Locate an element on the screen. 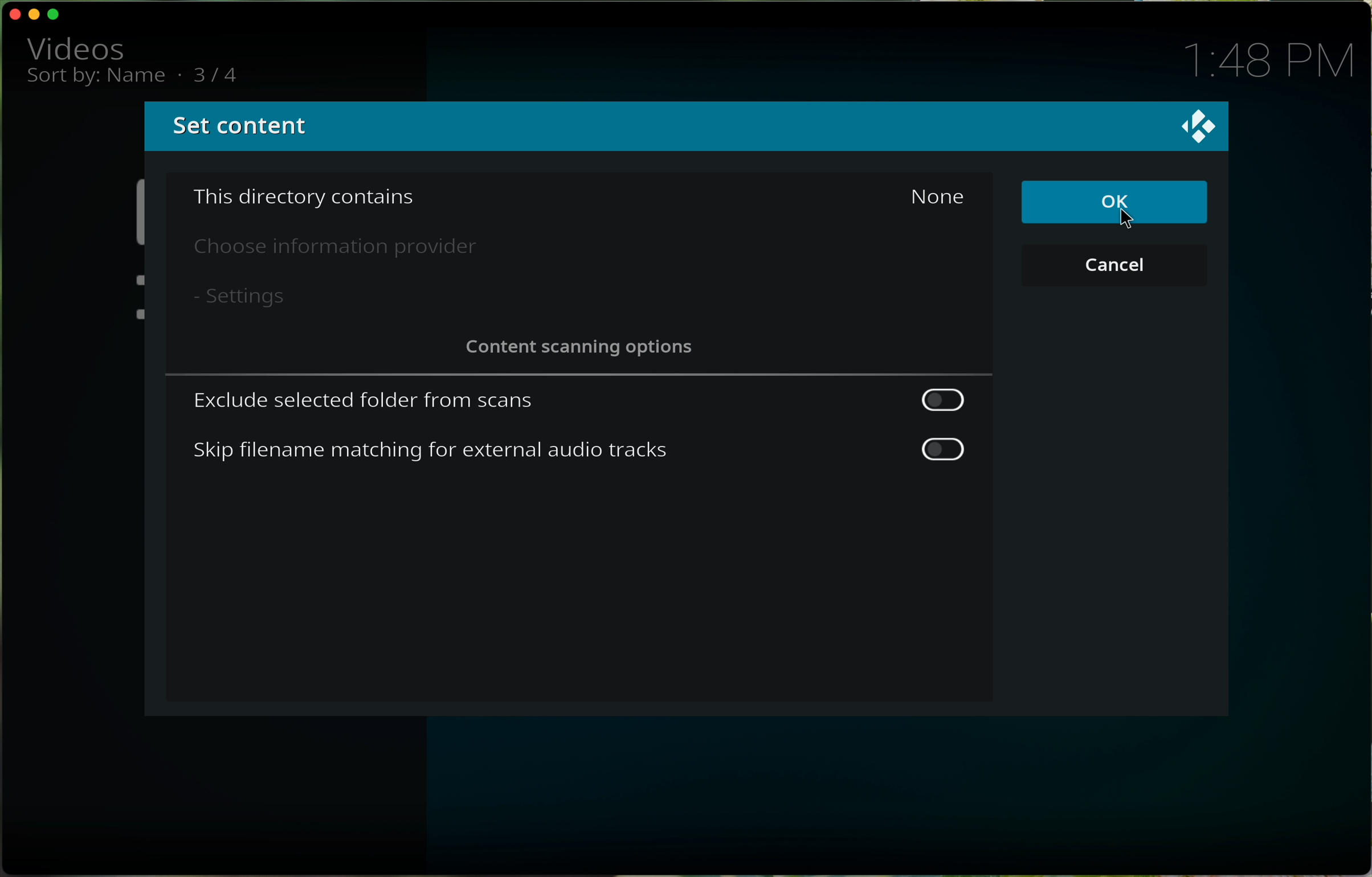 This screenshot has width=1372, height=877. none is located at coordinates (941, 198).